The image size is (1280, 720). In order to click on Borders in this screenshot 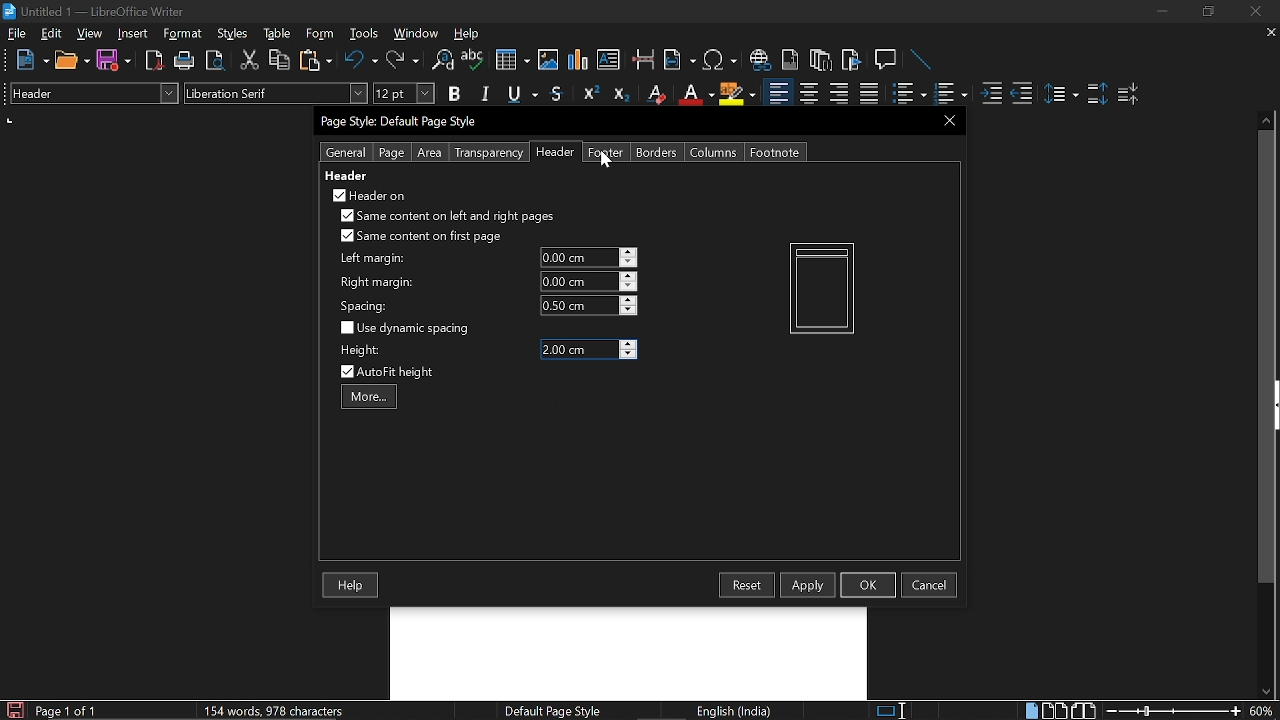, I will do `click(658, 152)`.